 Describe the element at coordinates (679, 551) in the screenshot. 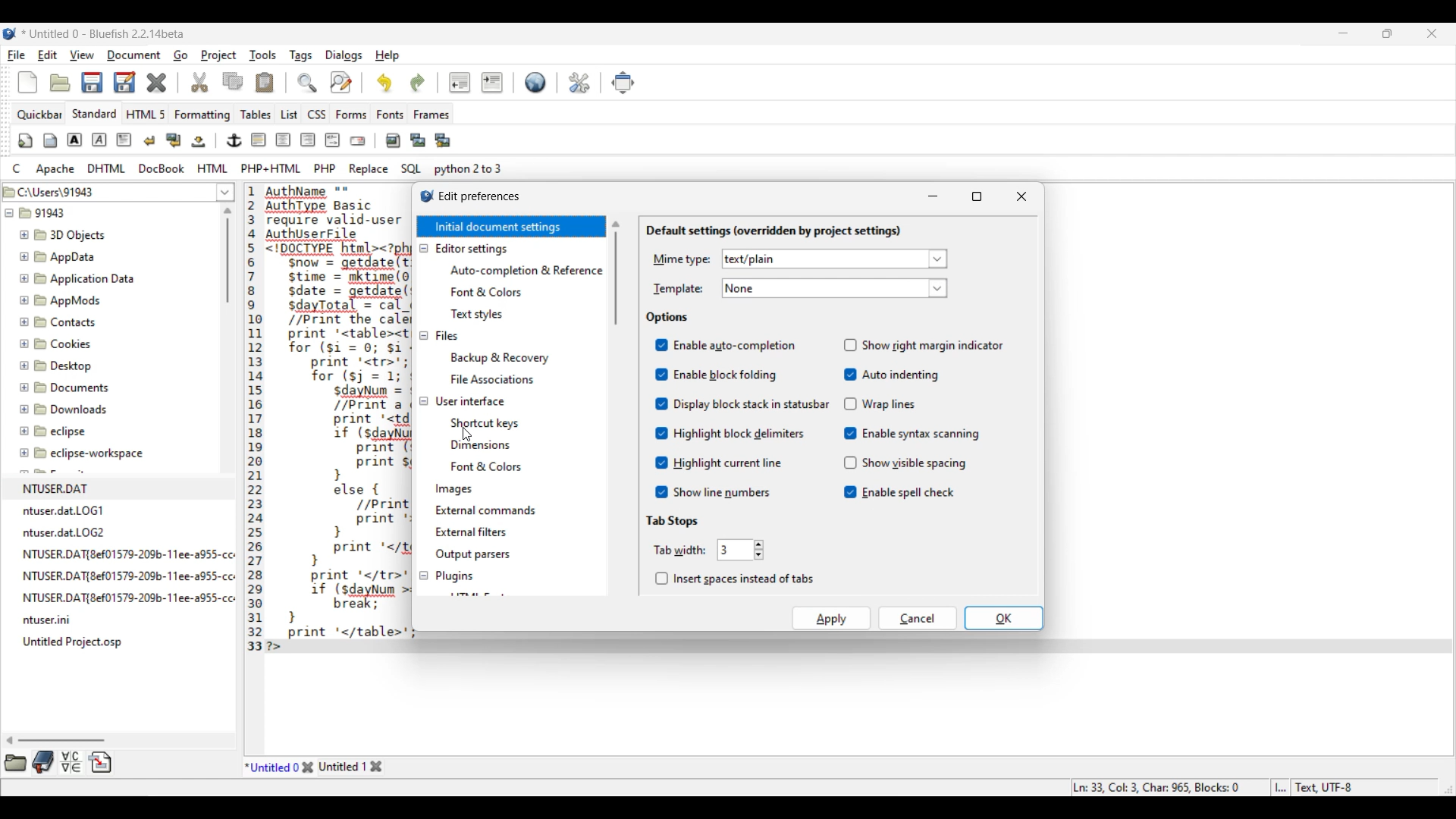

I see `Indicates Tab width` at that location.